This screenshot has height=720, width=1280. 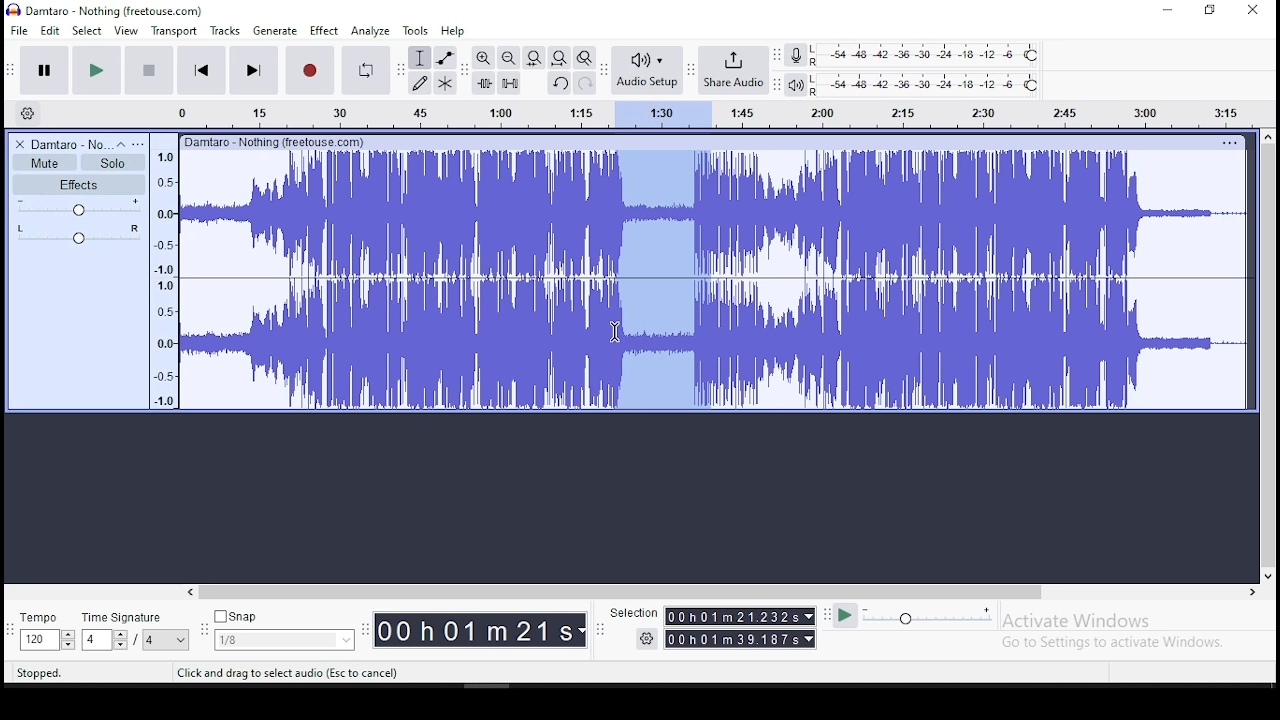 I want to click on 1/8, so click(x=269, y=640).